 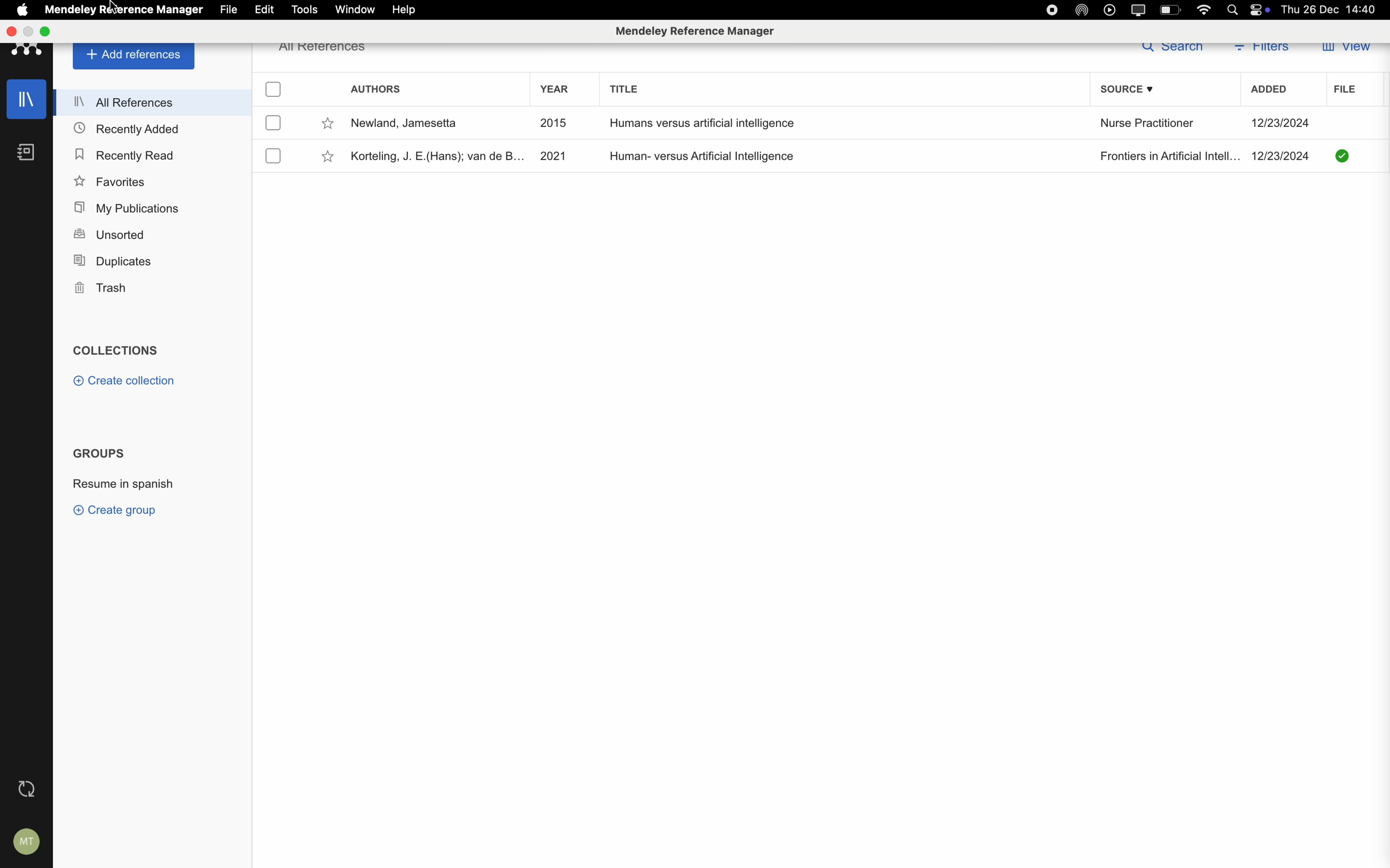 I want to click on favorites, so click(x=110, y=183).